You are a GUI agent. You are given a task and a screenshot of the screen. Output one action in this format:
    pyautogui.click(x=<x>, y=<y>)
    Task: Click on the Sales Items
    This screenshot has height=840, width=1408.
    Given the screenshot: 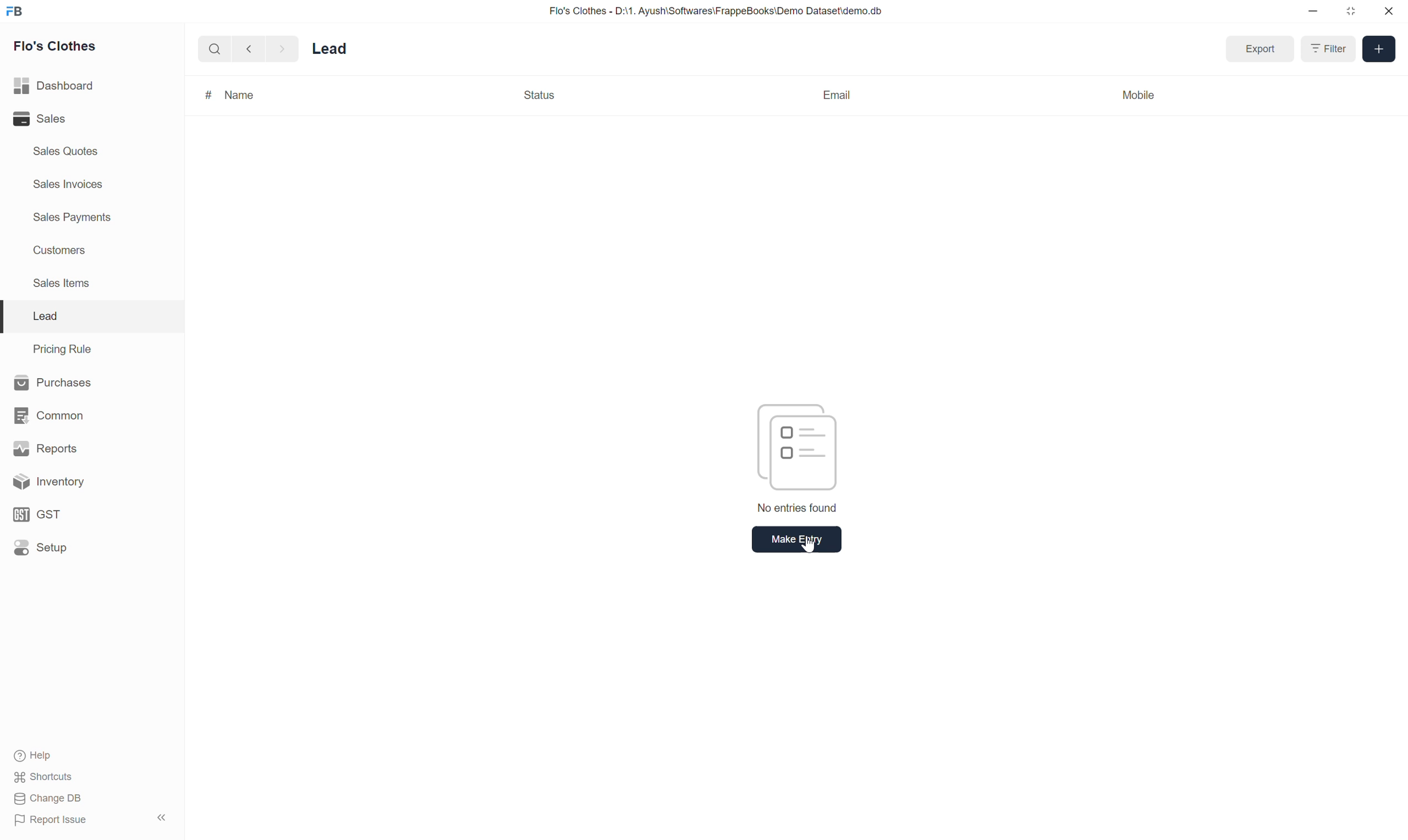 What is the action you would take?
    pyautogui.click(x=66, y=286)
    